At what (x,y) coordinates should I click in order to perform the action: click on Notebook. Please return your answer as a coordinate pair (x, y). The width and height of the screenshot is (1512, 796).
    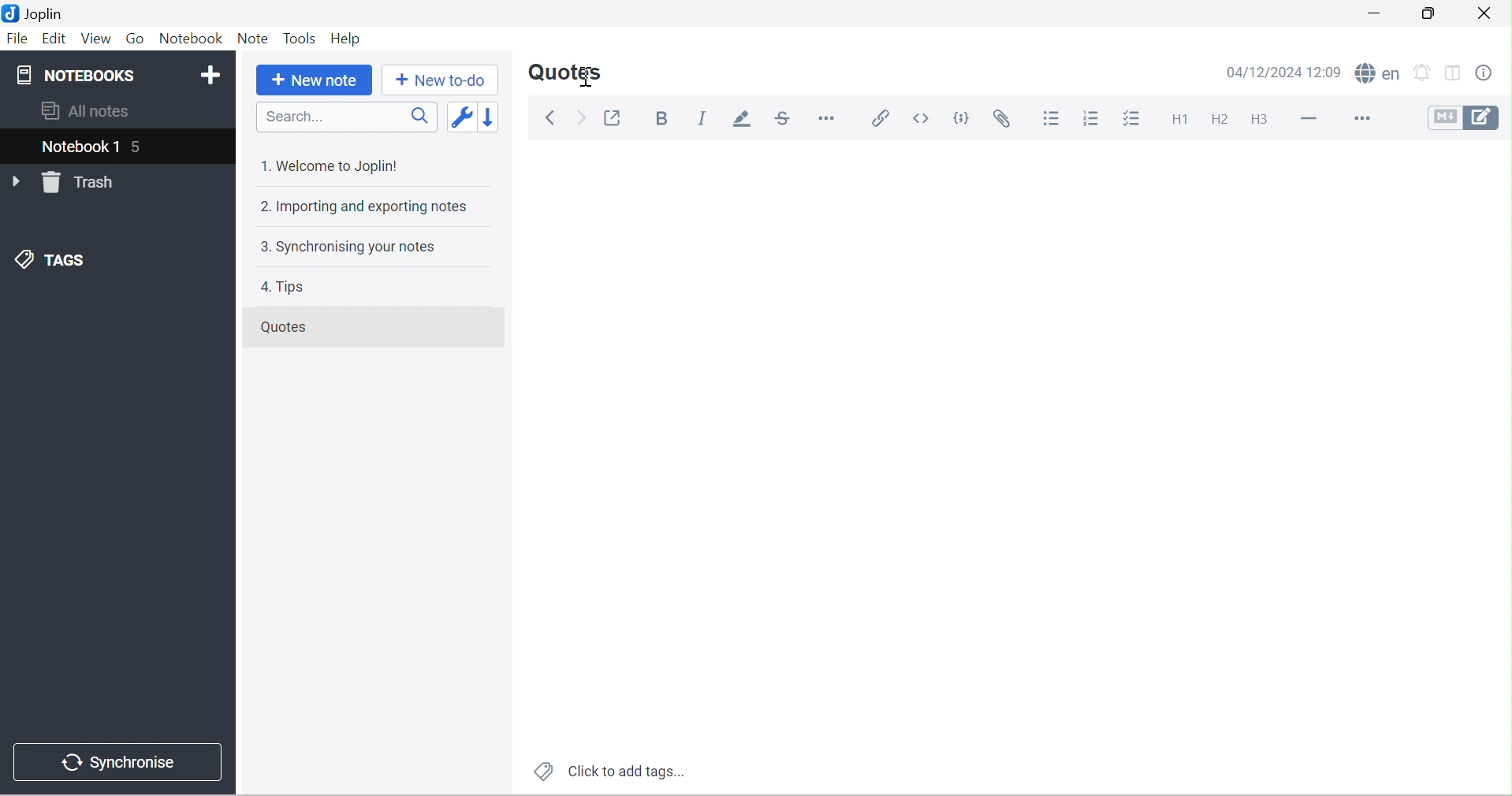
    Looking at the image, I should click on (193, 40).